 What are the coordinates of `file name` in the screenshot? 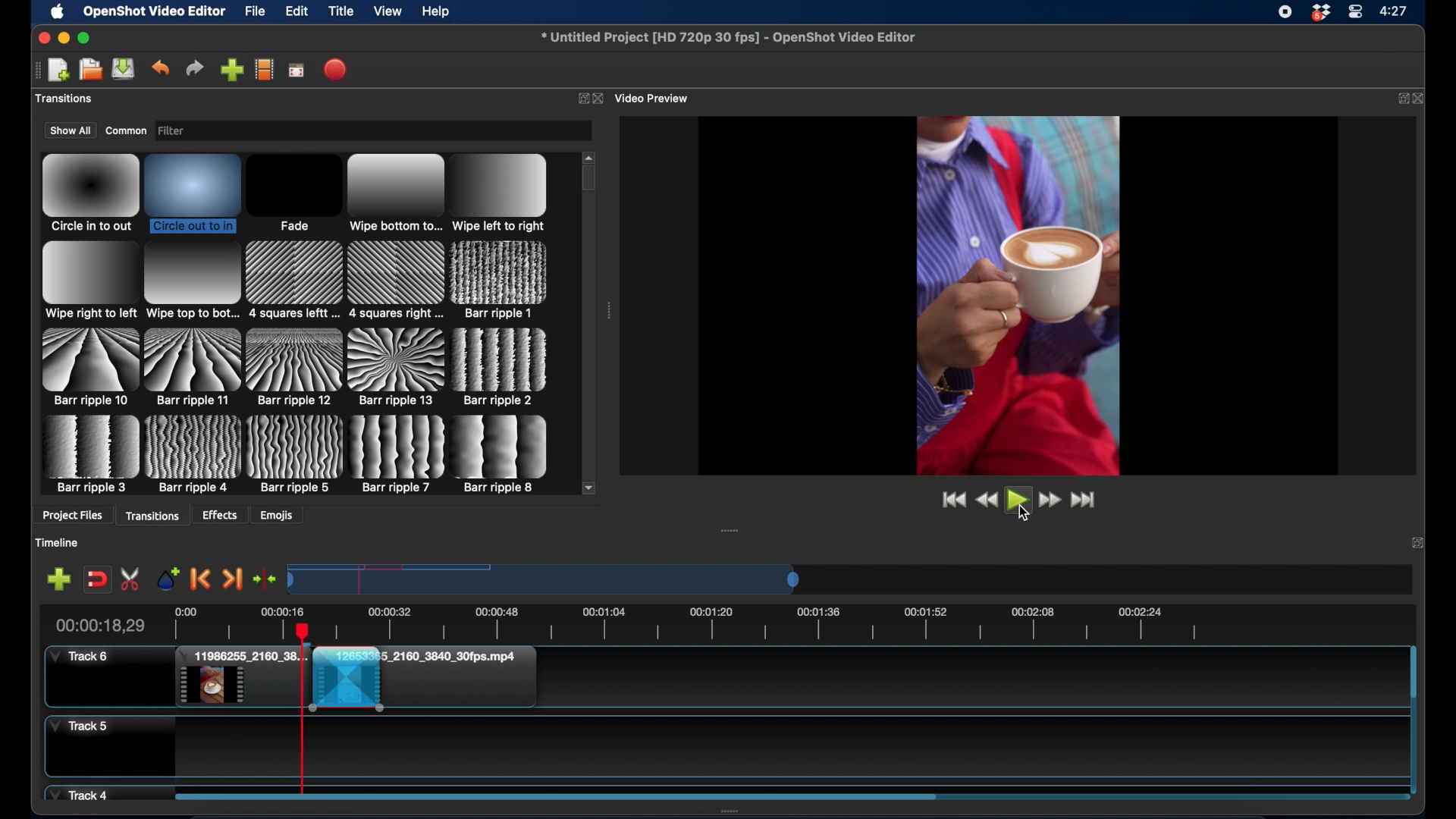 It's located at (730, 38).